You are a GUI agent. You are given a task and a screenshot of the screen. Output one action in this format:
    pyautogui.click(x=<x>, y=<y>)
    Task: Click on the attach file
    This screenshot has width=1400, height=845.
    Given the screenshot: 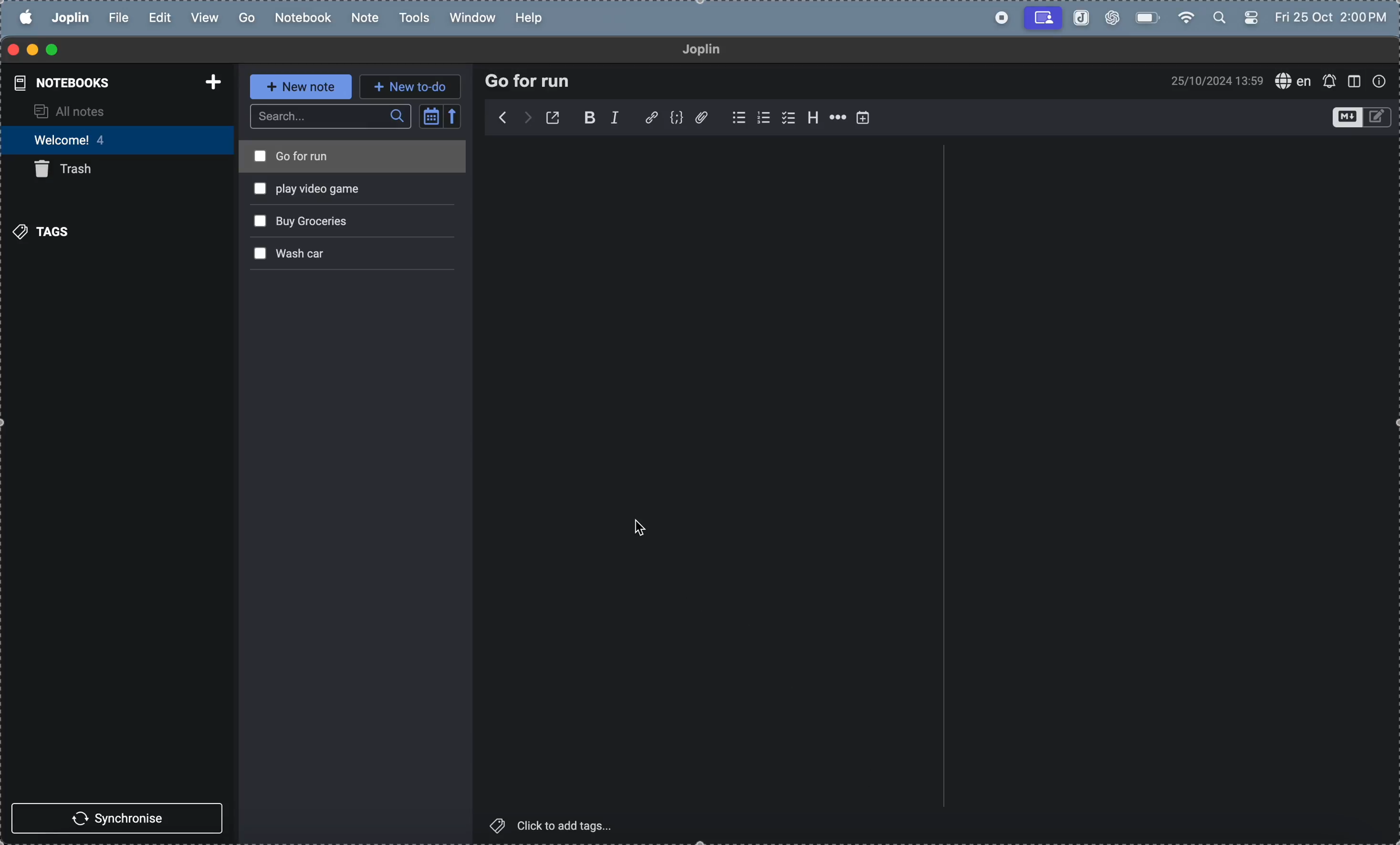 What is the action you would take?
    pyautogui.click(x=705, y=117)
    